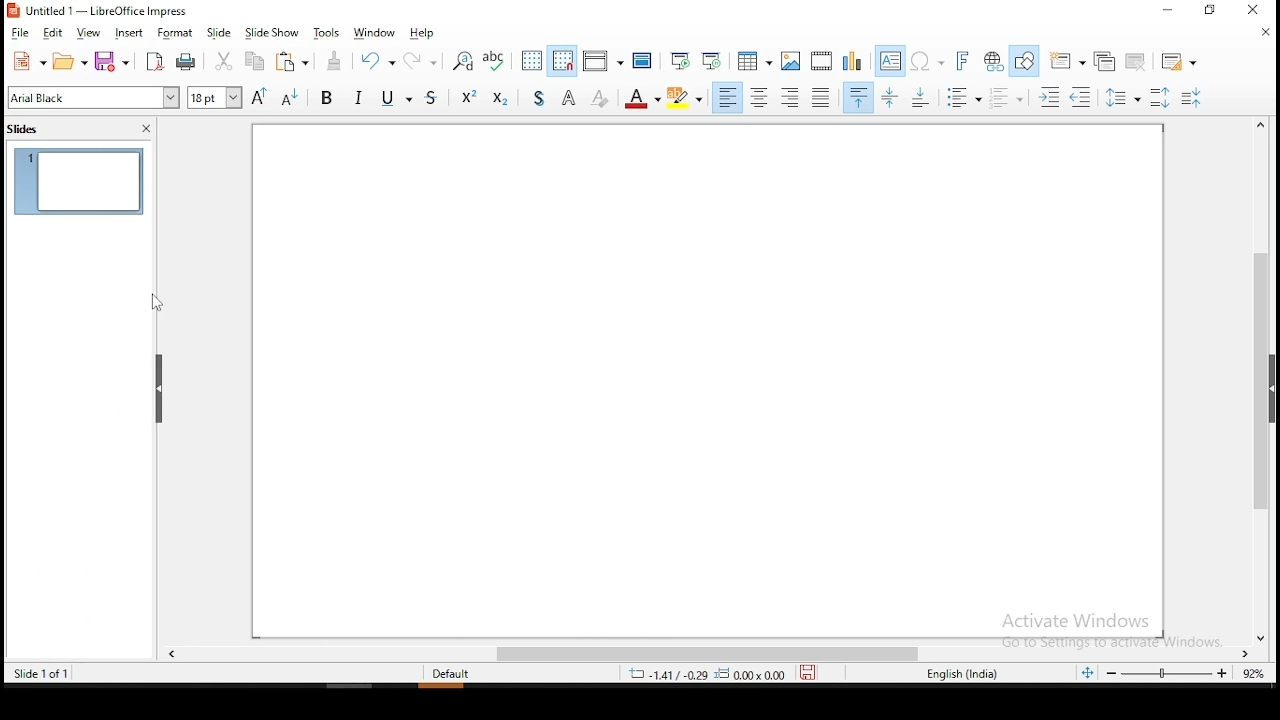  What do you see at coordinates (1207, 11) in the screenshot?
I see `restore` at bounding box center [1207, 11].